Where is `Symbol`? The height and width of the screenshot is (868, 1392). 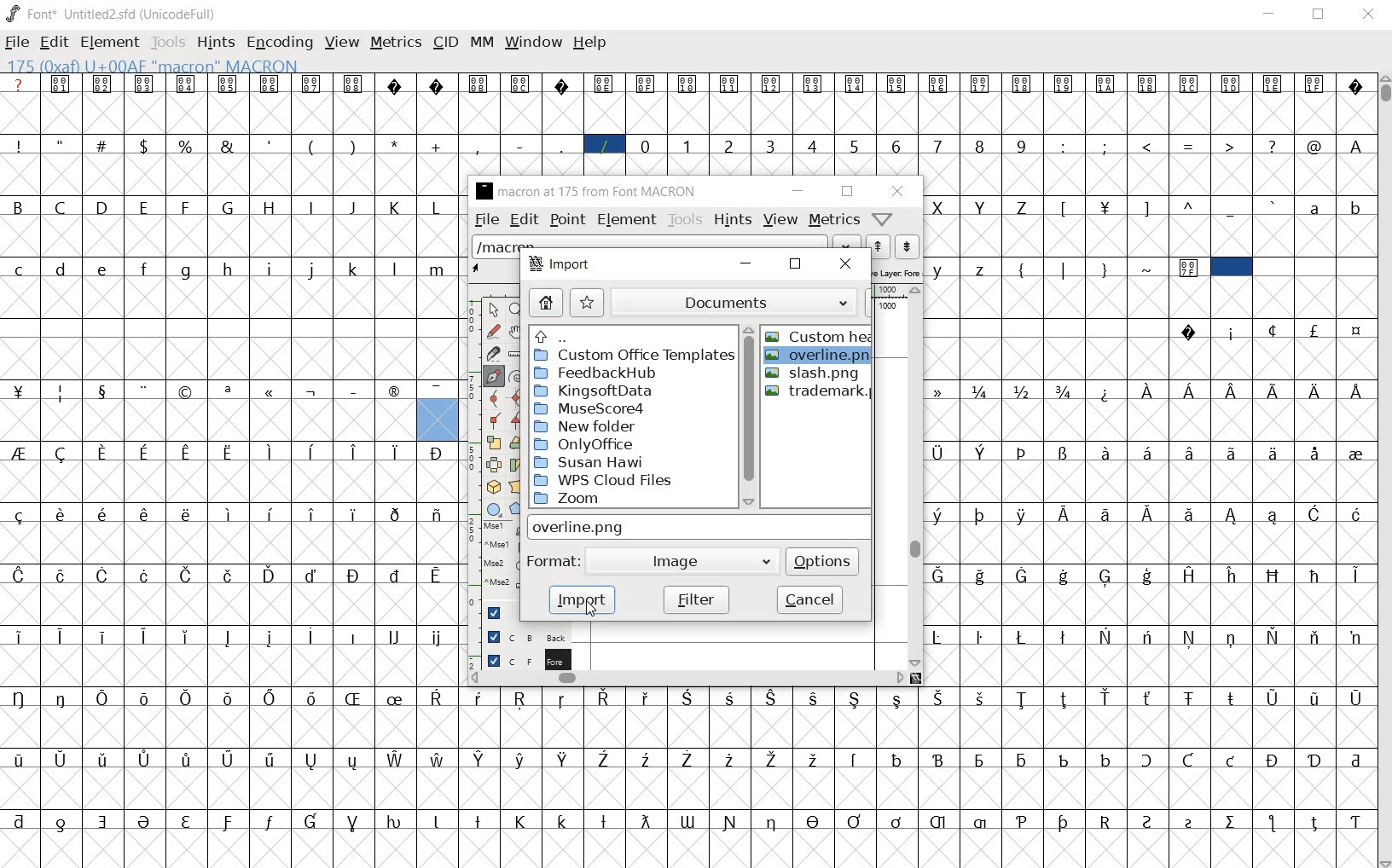 Symbol is located at coordinates (1231, 637).